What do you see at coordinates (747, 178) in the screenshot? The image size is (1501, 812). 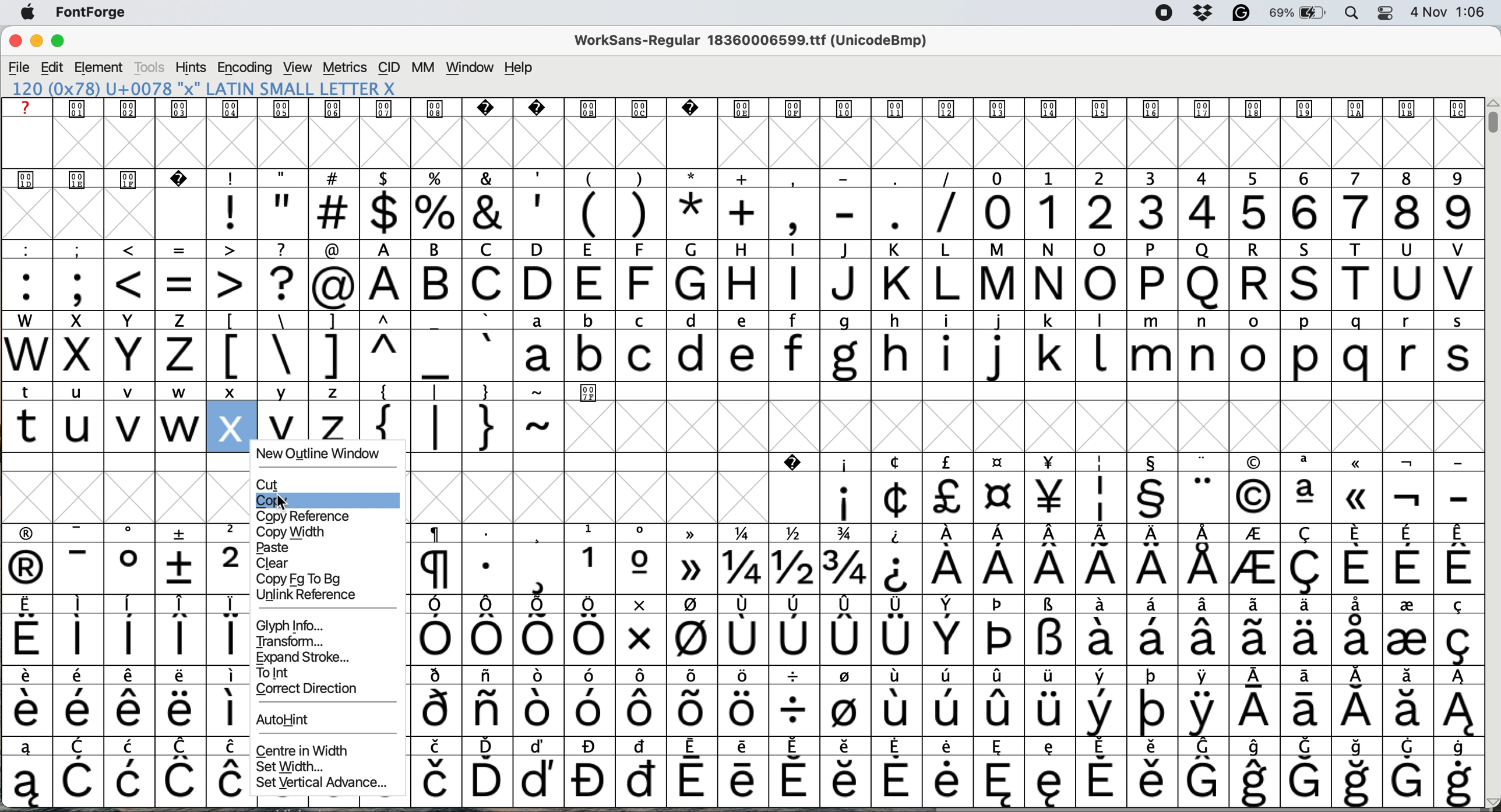 I see `special characters and text` at bounding box center [747, 178].